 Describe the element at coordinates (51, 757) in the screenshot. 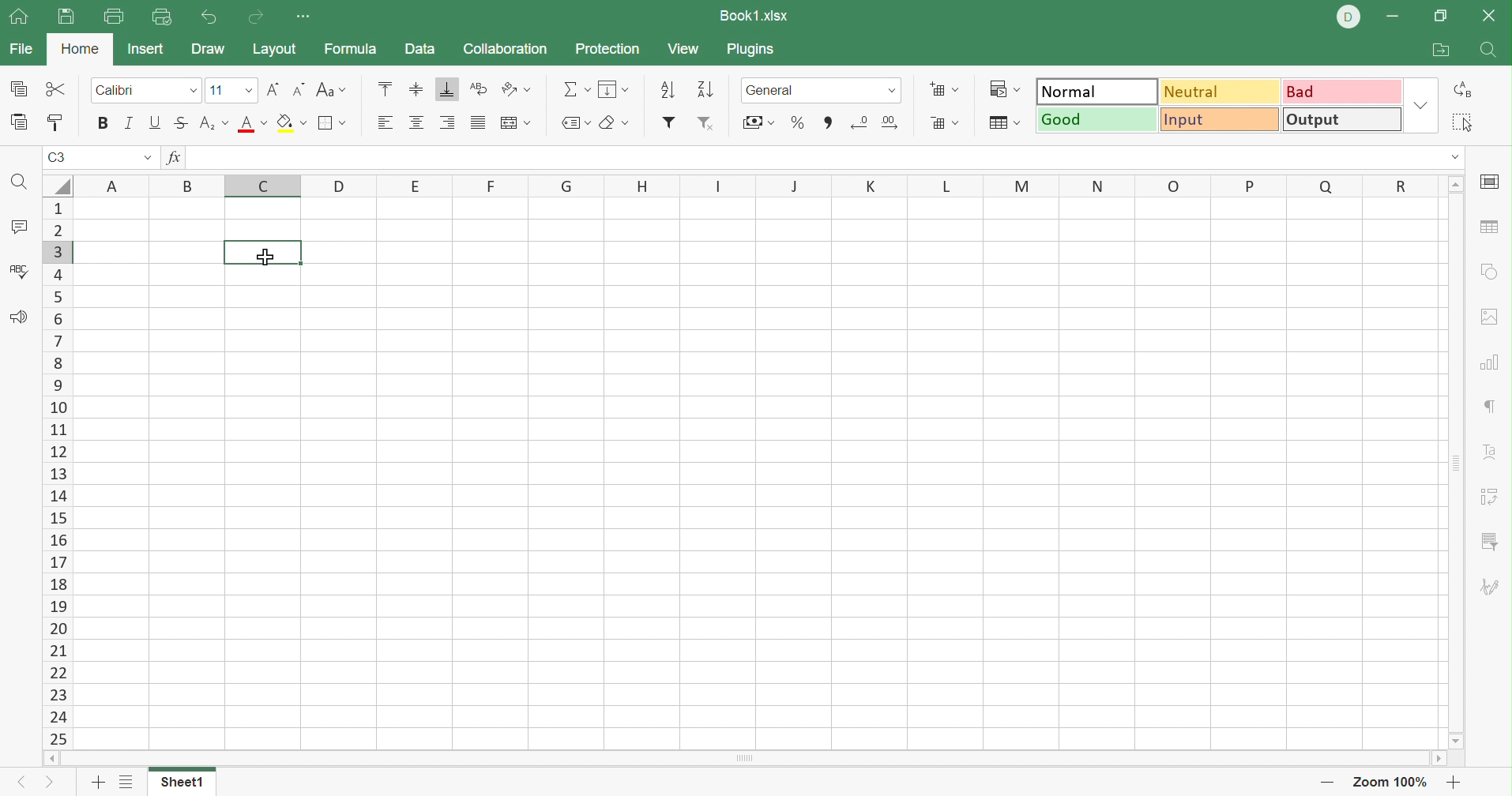

I see `Scroll left` at that location.